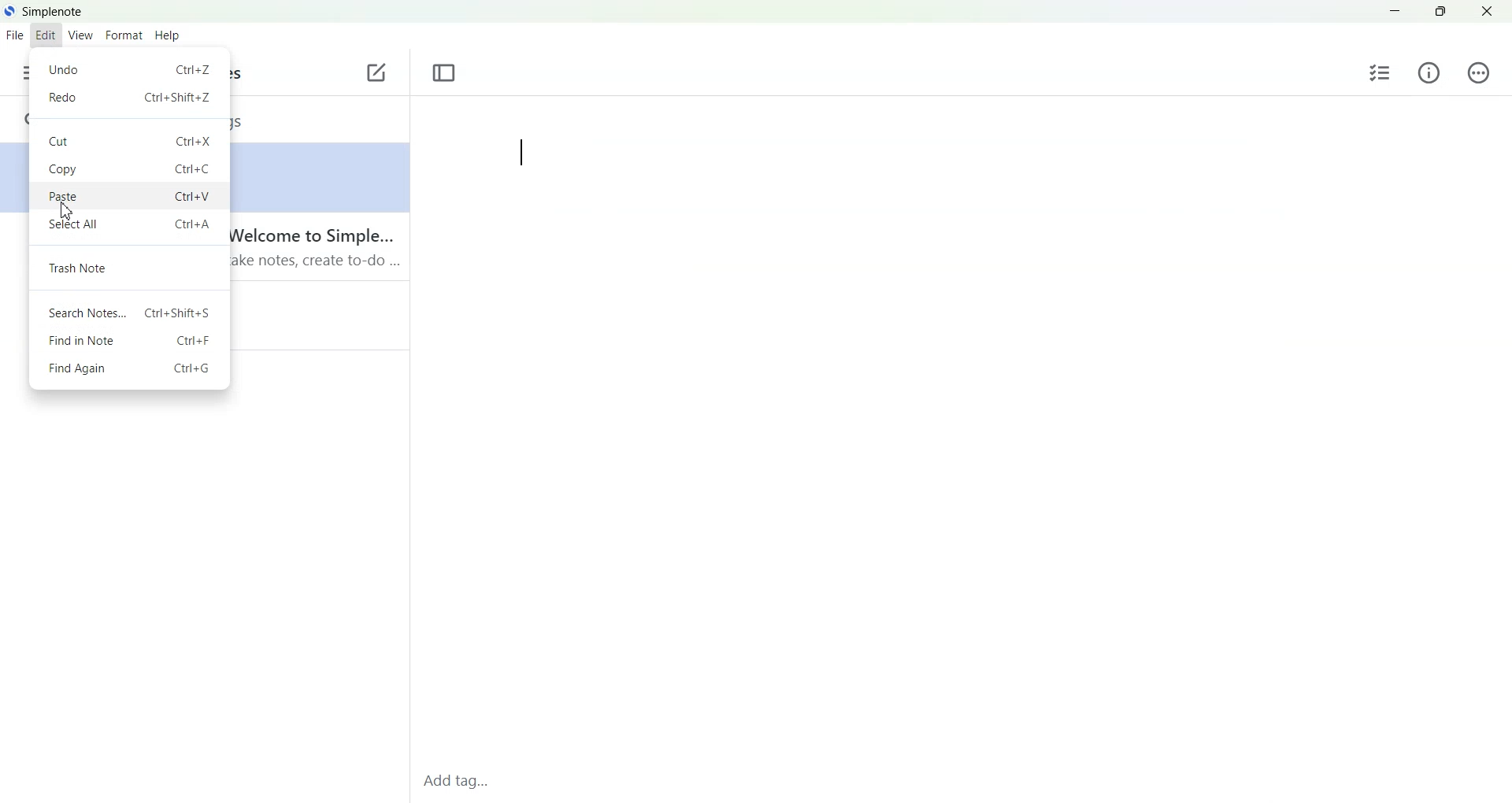 This screenshot has height=803, width=1512. Describe the element at coordinates (519, 154) in the screenshot. I see `Text Cursor` at that location.